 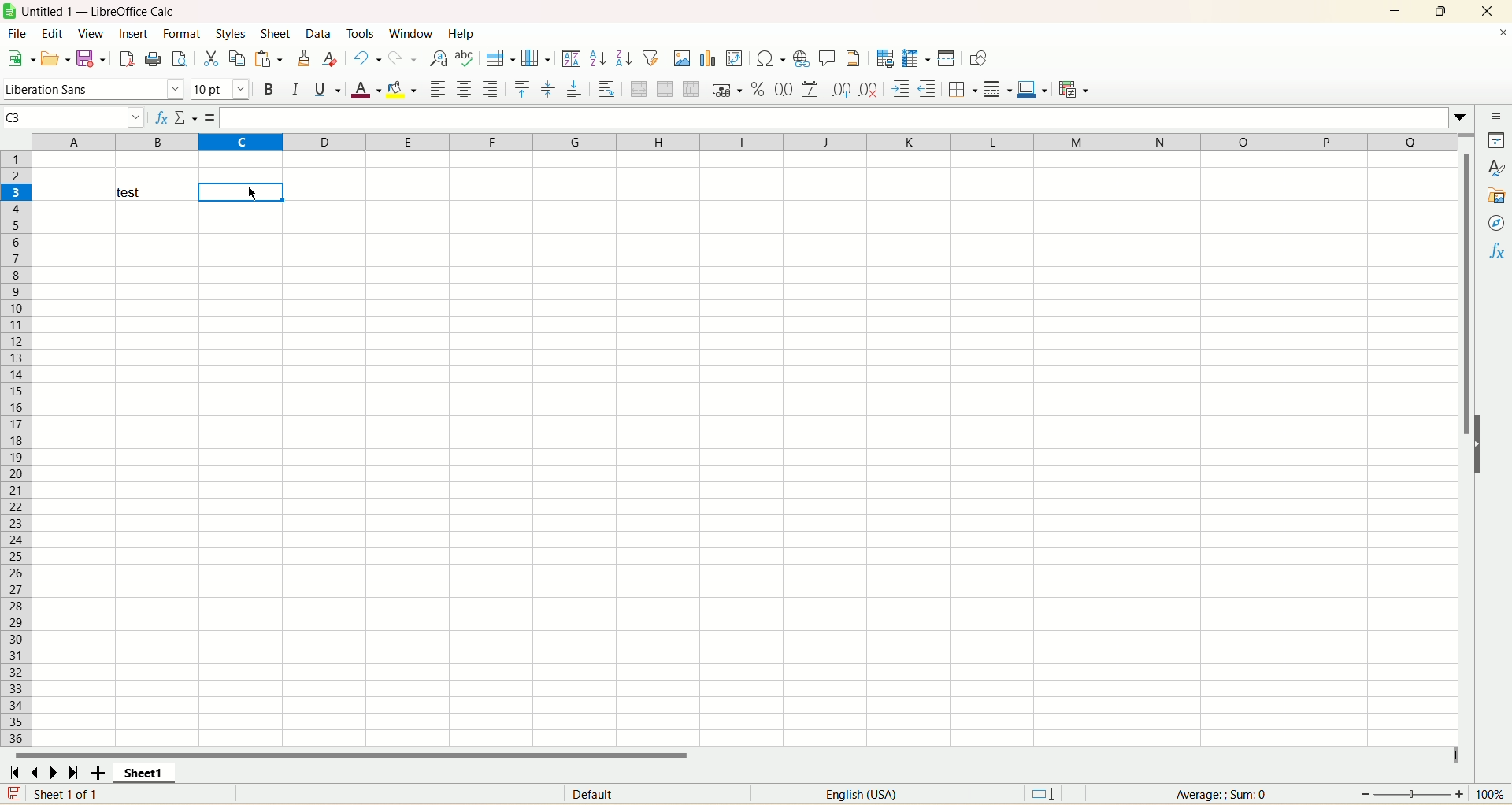 I want to click on show draw functions, so click(x=978, y=58).